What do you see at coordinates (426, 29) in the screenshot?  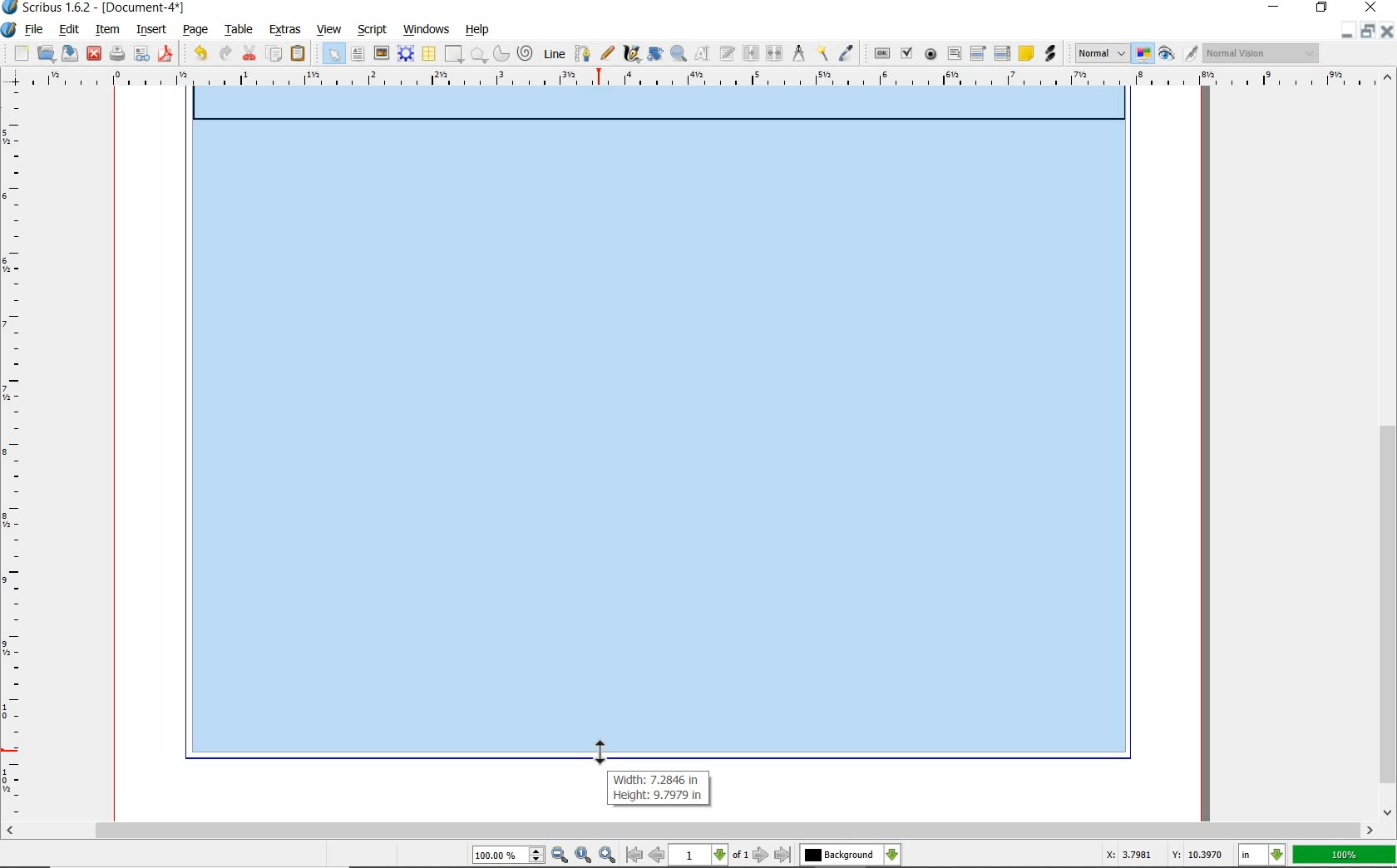 I see `windows` at bounding box center [426, 29].